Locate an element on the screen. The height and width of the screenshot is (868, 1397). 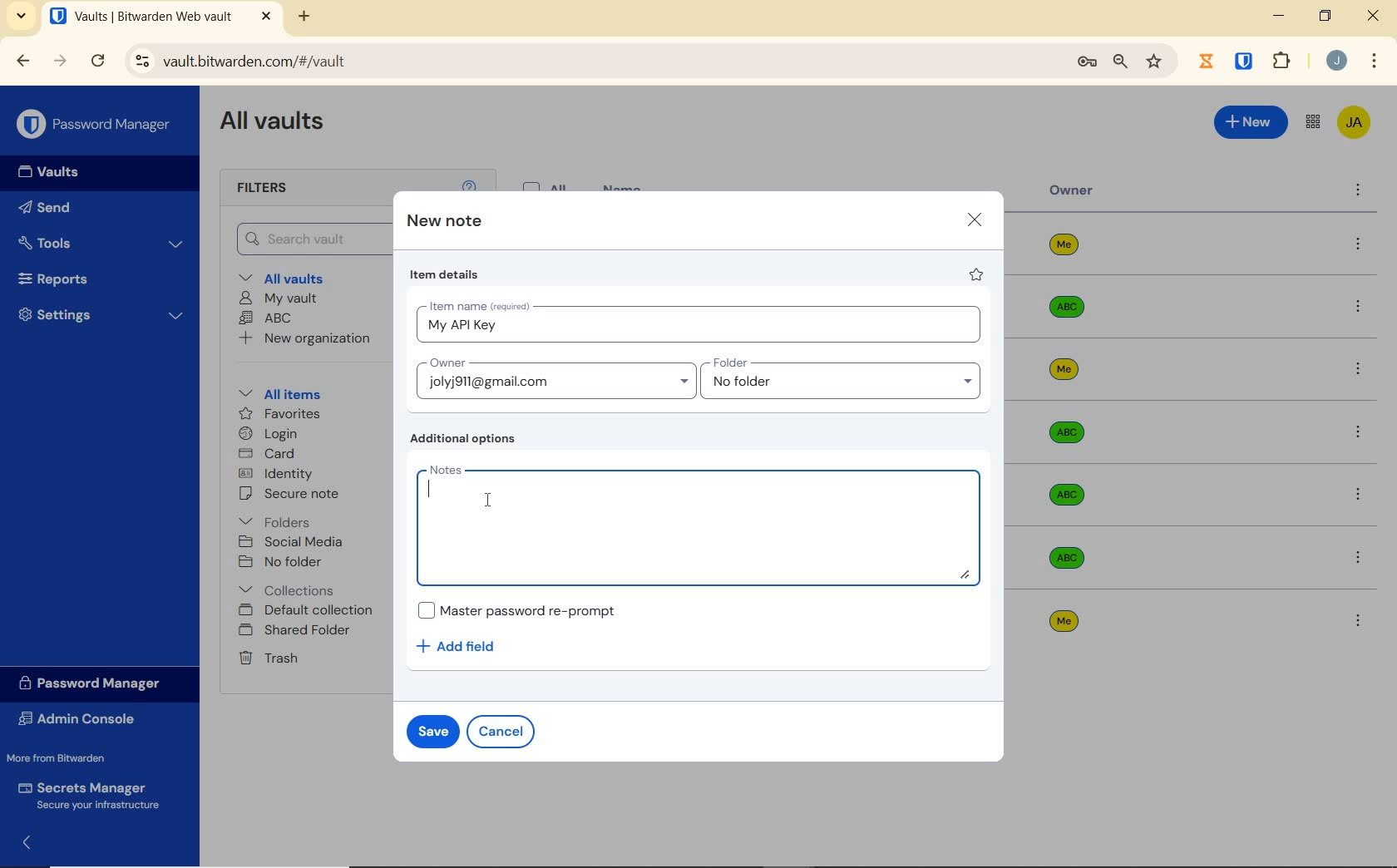
login is located at coordinates (272, 435).